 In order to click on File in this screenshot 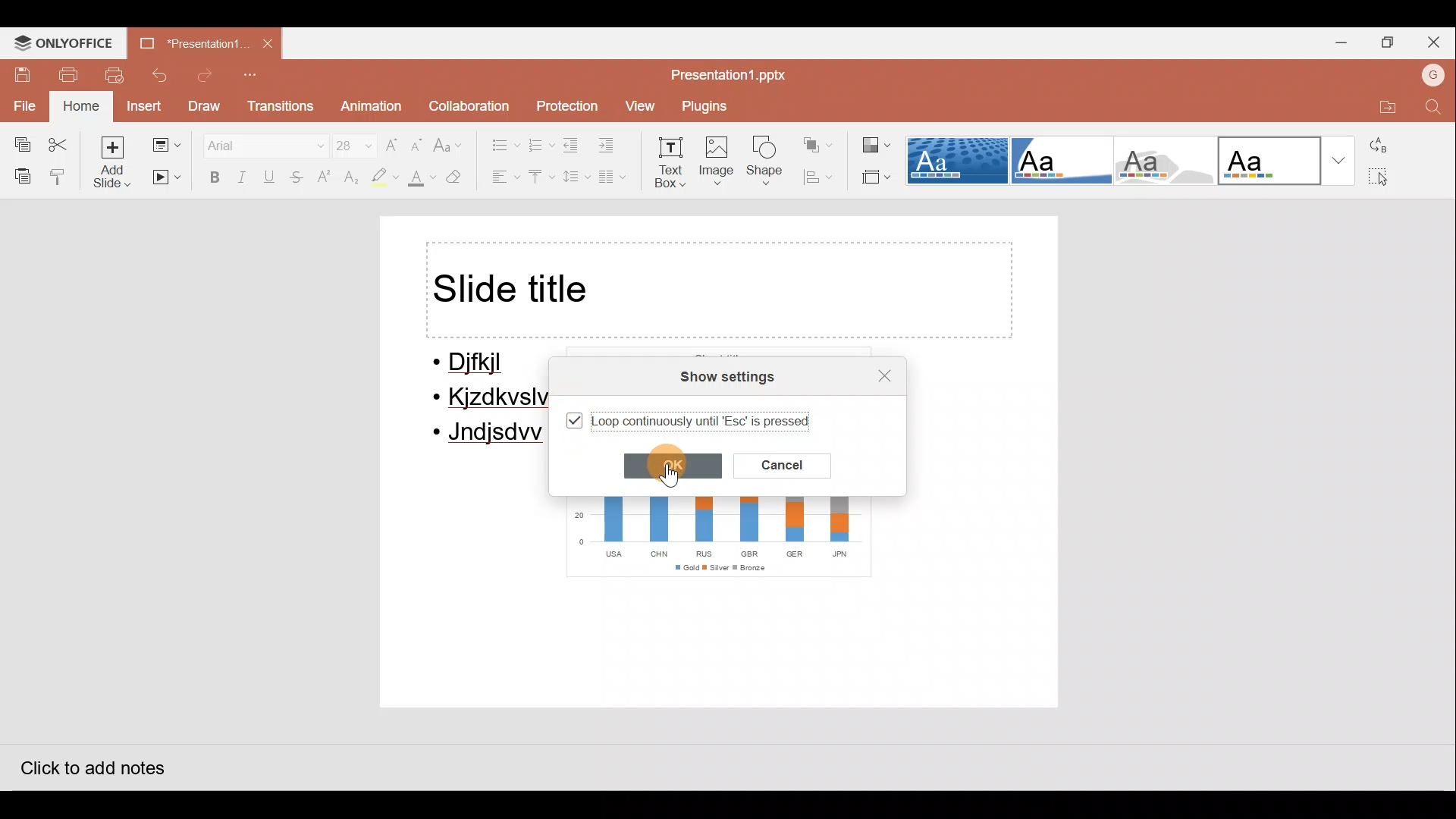, I will do `click(21, 109)`.